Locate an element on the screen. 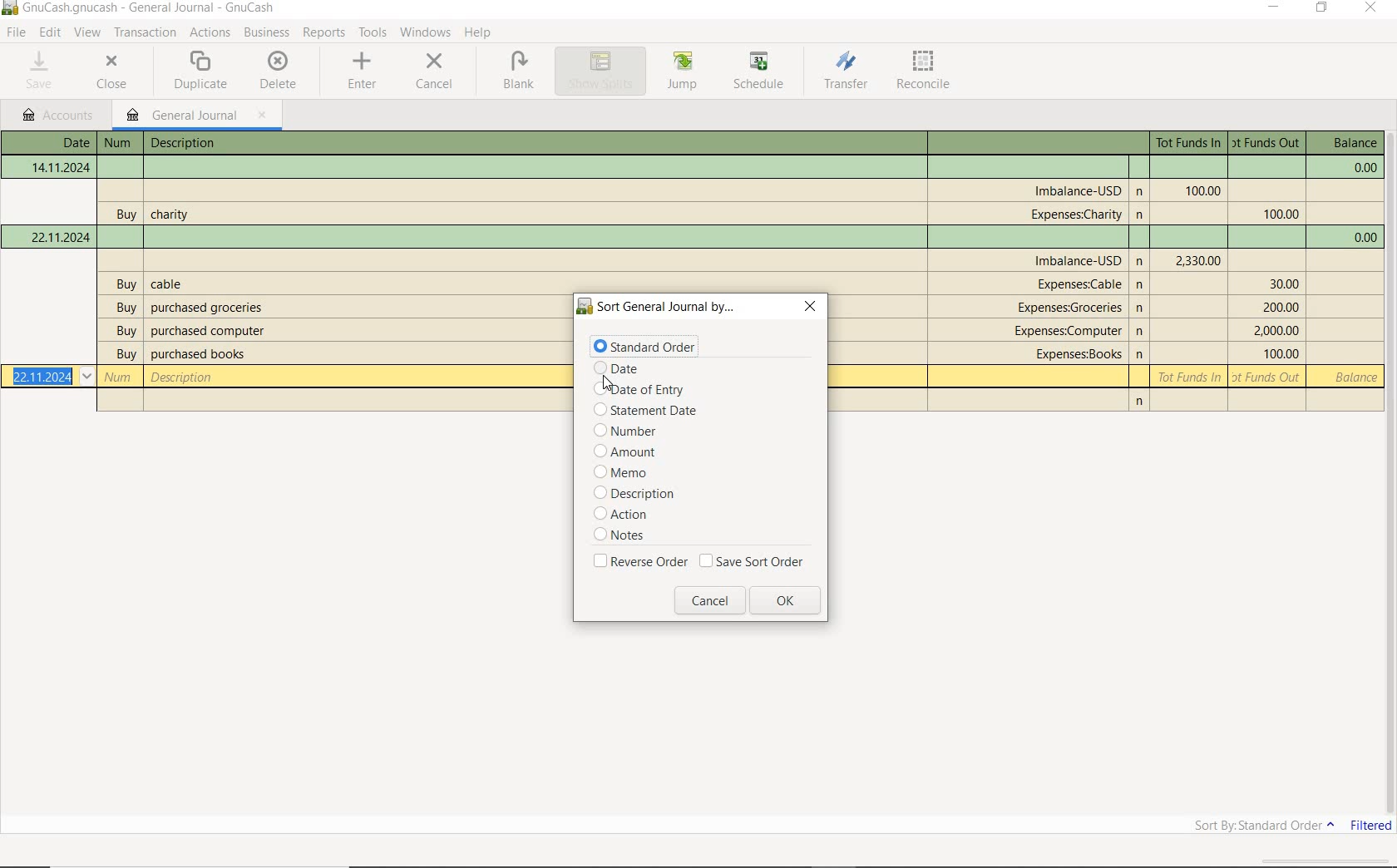 The width and height of the screenshot is (1397, 868). Tot Funds In is located at coordinates (1197, 260).